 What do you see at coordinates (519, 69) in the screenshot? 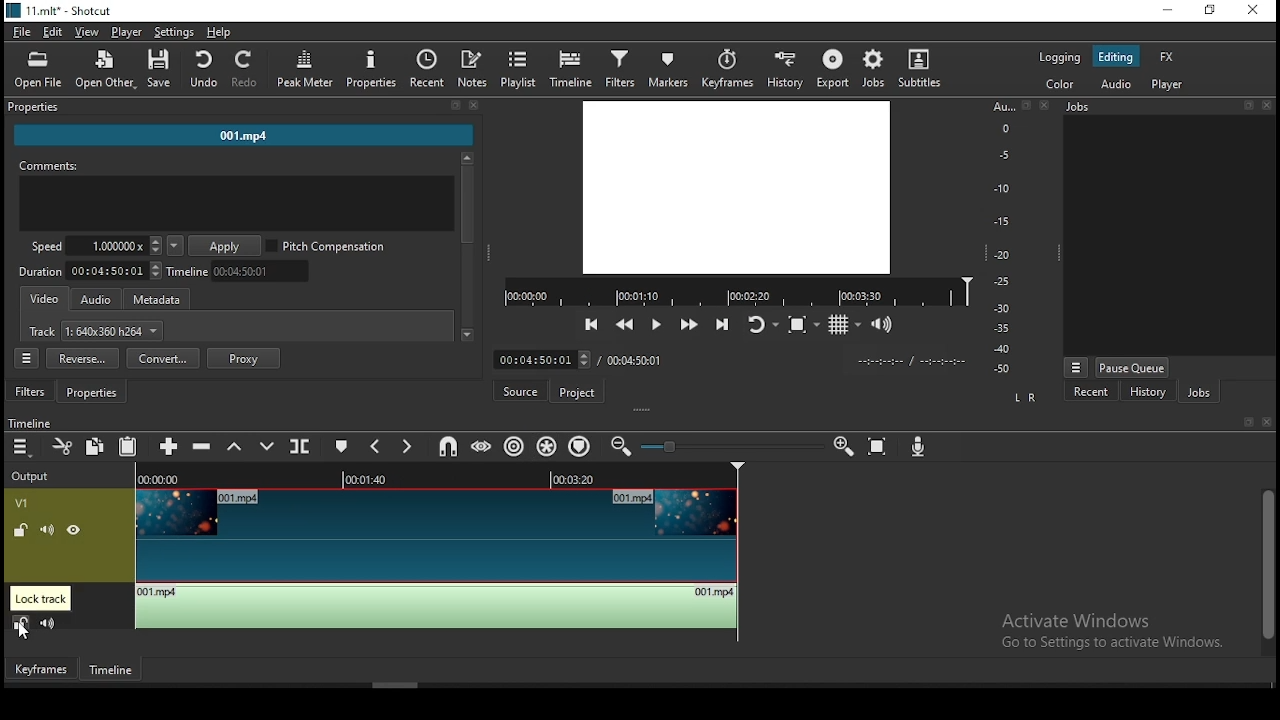
I see `playlist` at bounding box center [519, 69].